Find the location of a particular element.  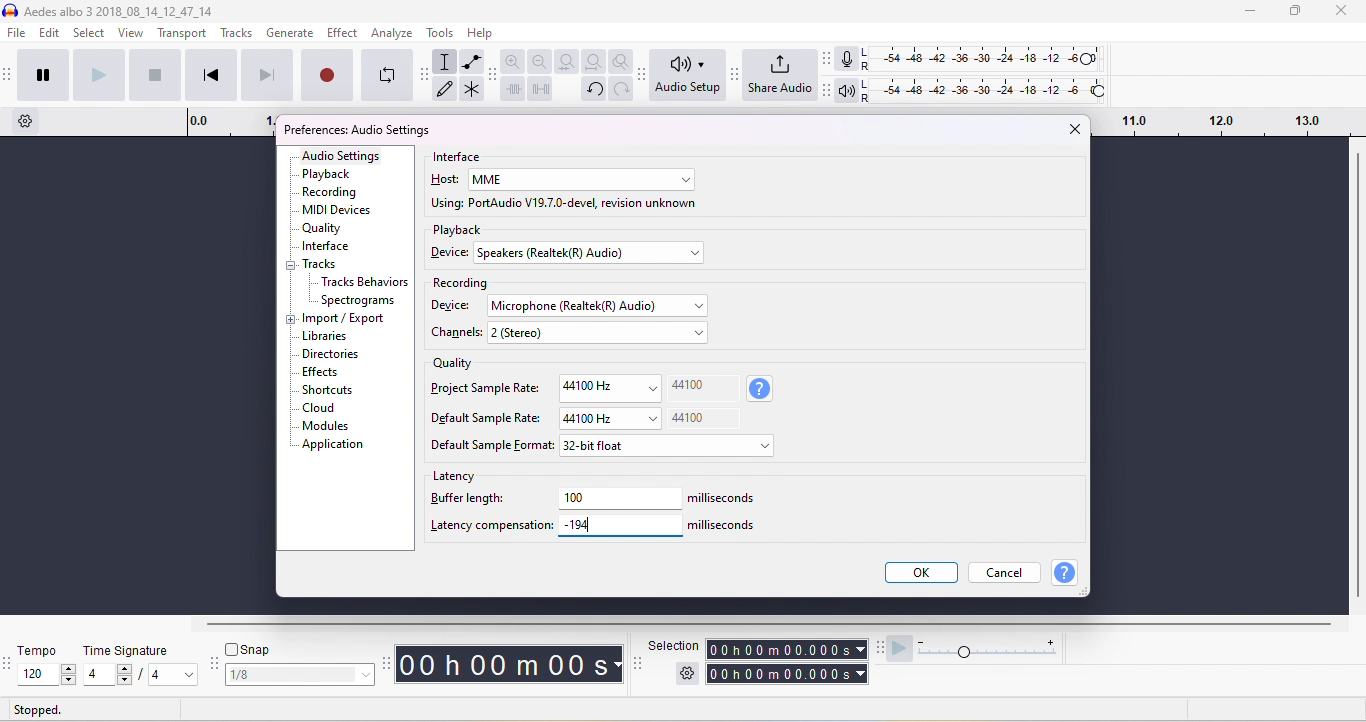

audacity snapping toolbar is located at coordinates (215, 664).